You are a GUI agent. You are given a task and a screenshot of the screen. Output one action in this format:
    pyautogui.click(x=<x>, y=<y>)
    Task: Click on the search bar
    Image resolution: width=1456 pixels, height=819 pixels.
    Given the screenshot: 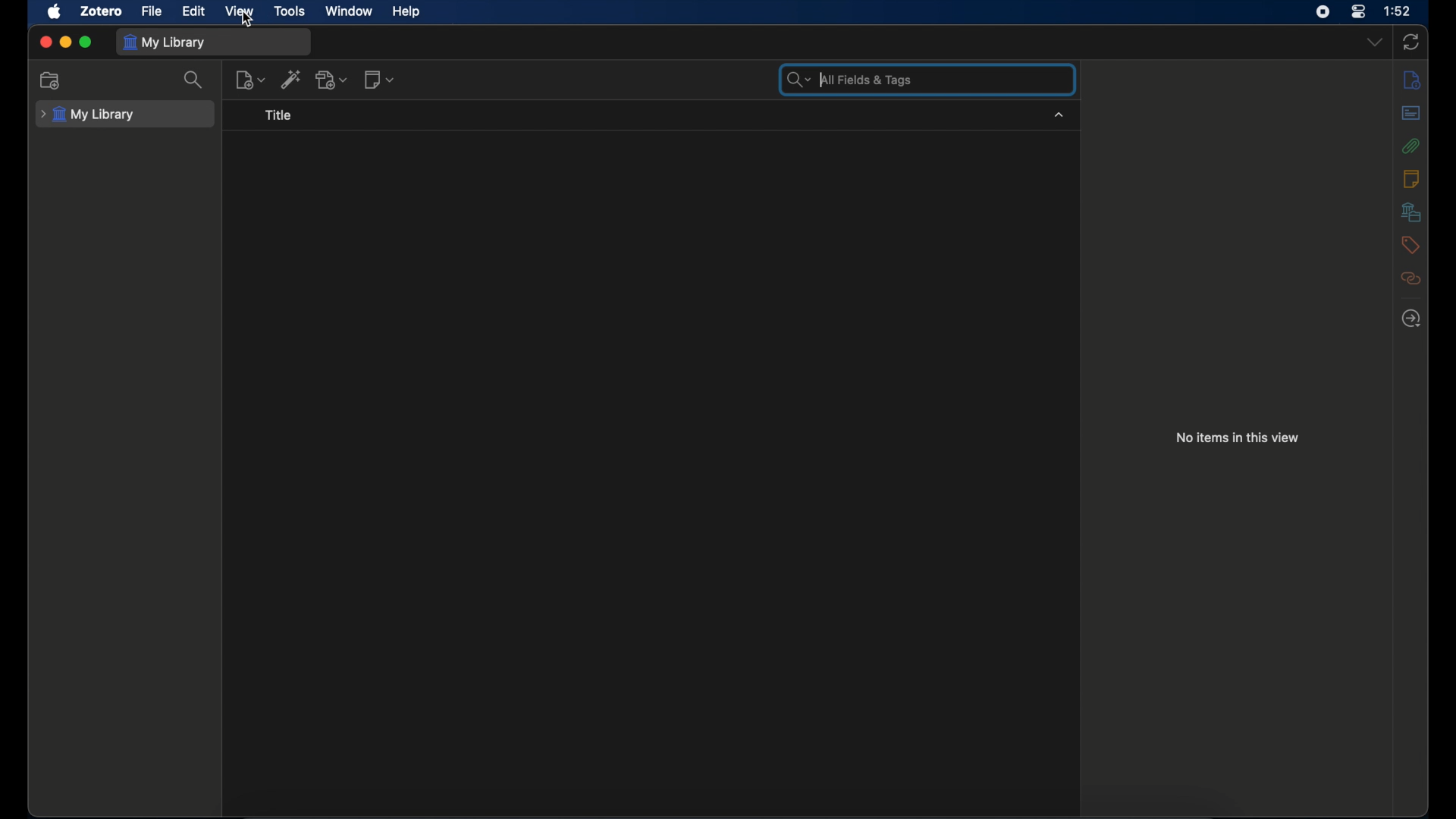 What is the action you would take?
    pyautogui.click(x=852, y=80)
    